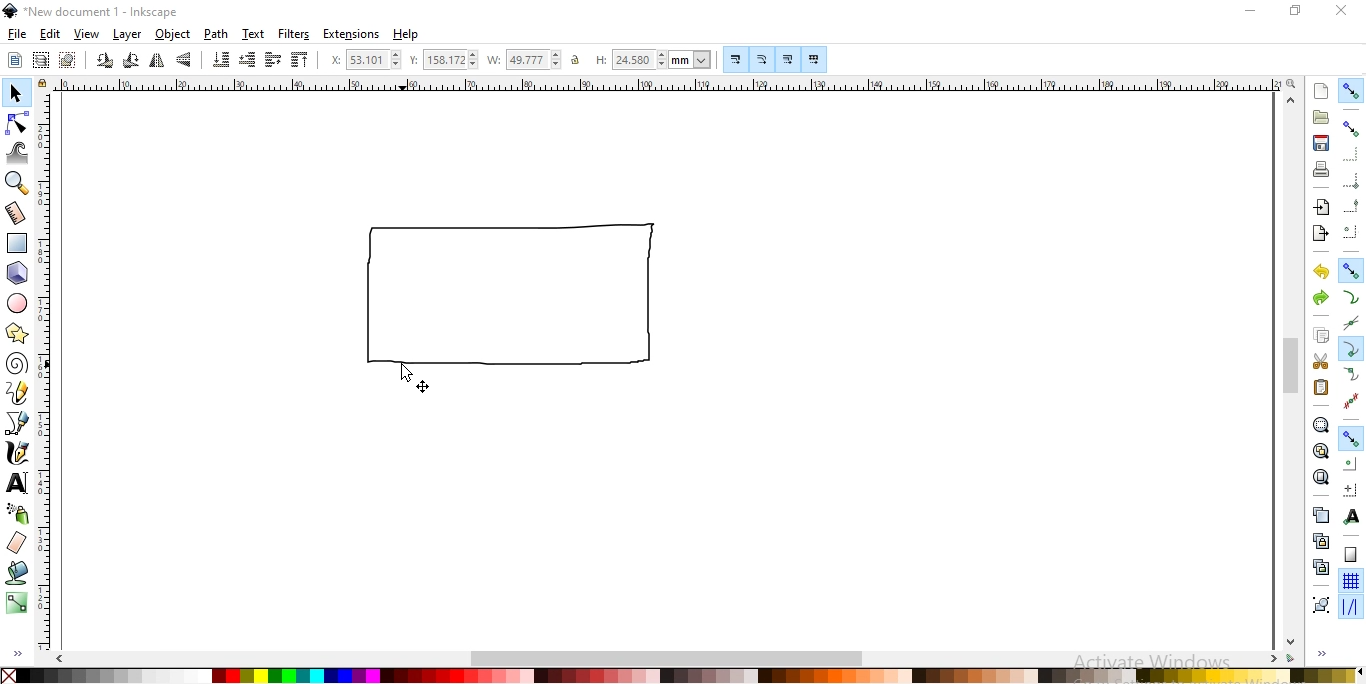 Image resolution: width=1366 pixels, height=684 pixels. Describe the element at coordinates (1251, 12) in the screenshot. I see `minimize` at that location.